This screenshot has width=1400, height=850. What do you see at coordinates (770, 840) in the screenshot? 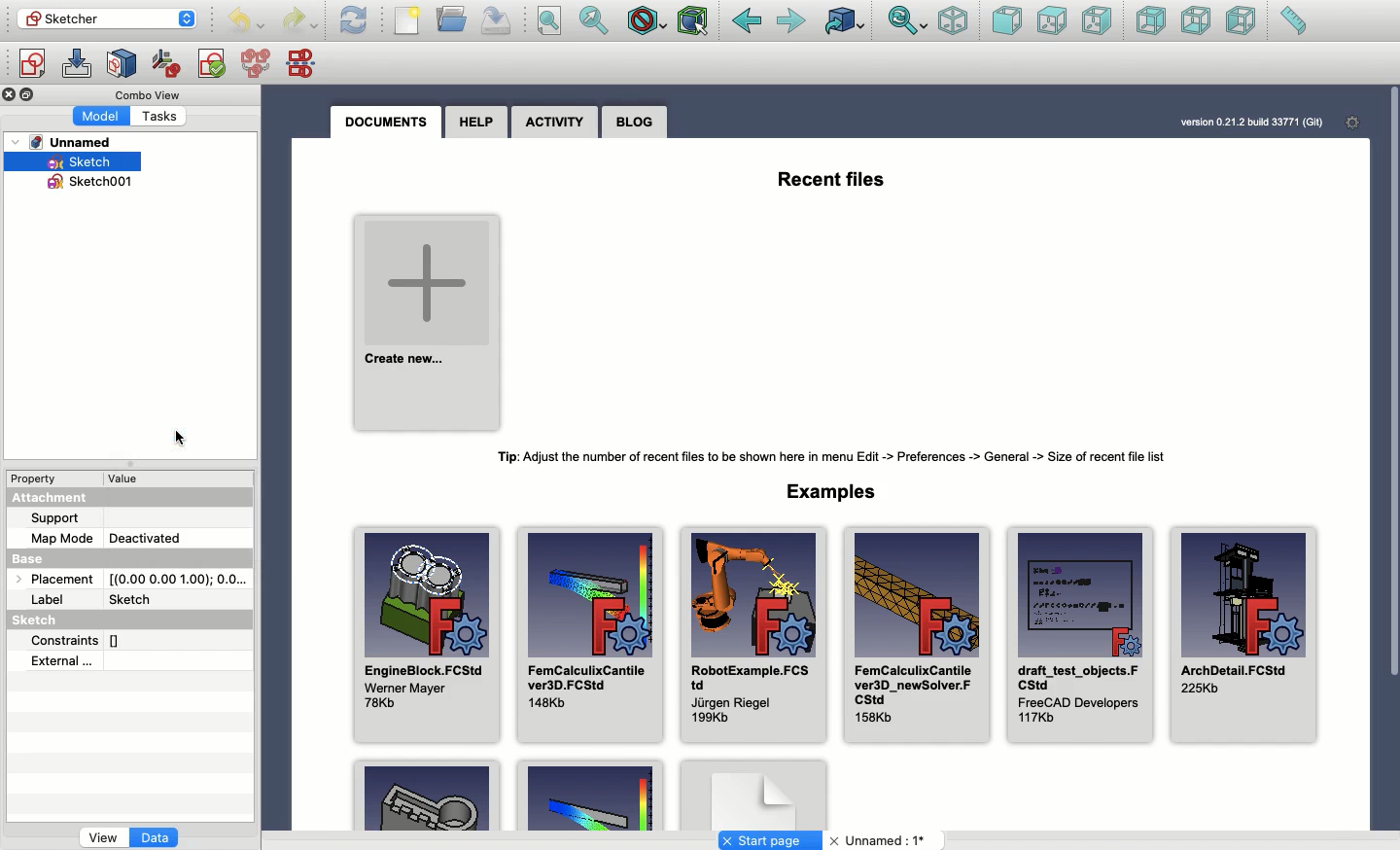
I see `Start page` at bounding box center [770, 840].